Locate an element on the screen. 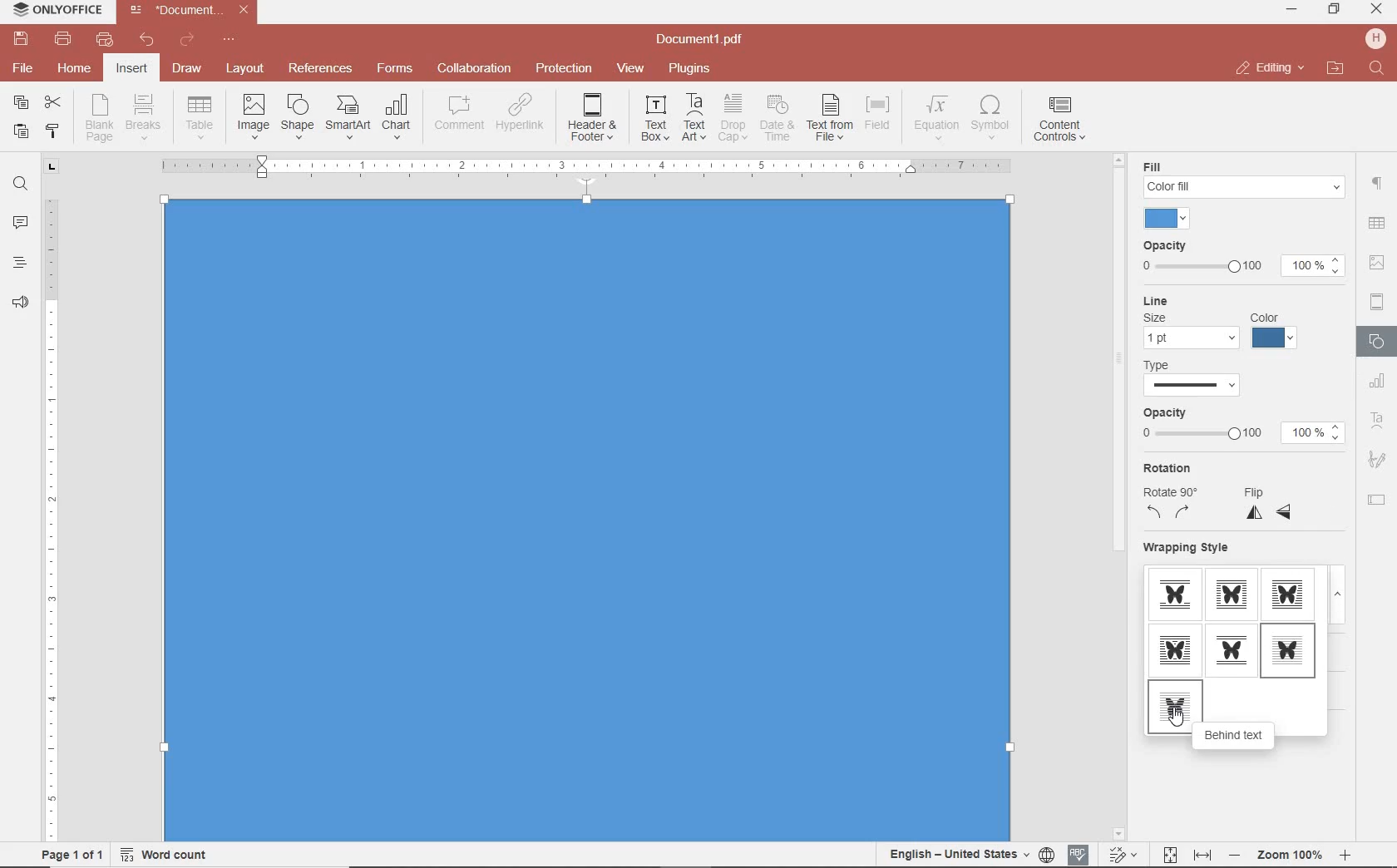 The image size is (1397, 868). ruler is located at coordinates (52, 508).